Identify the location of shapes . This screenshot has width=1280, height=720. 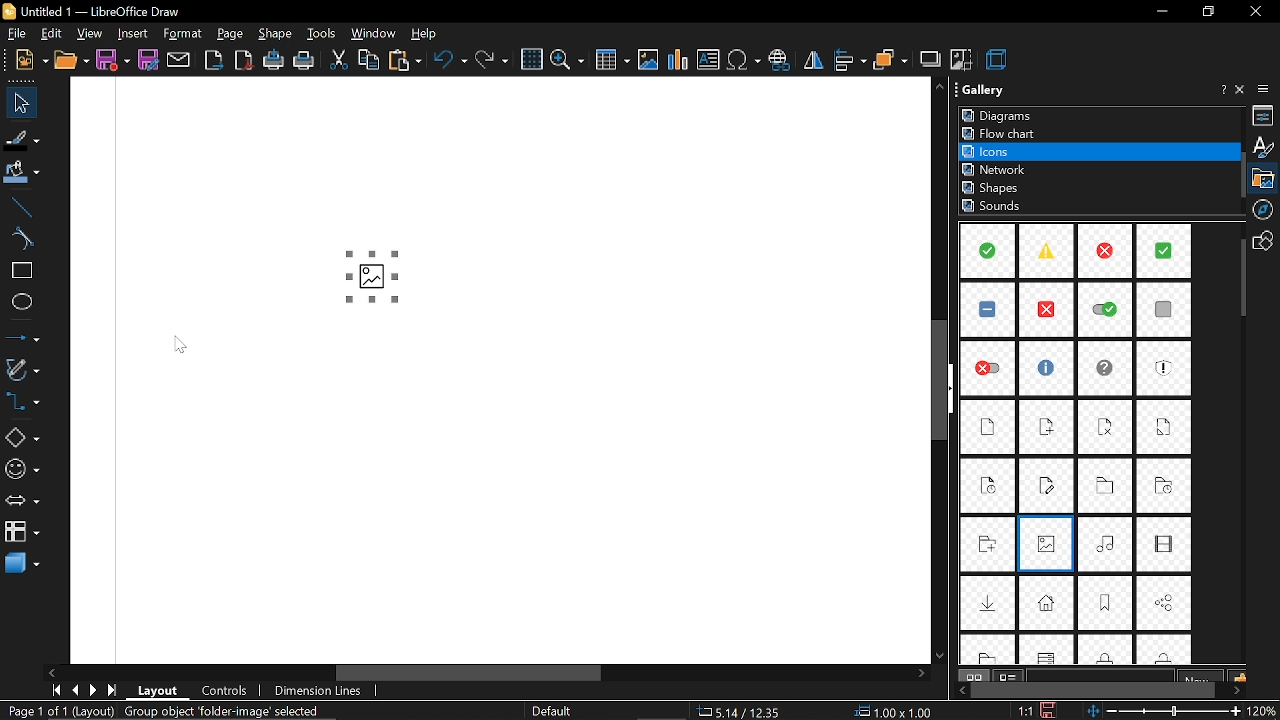
(994, 188).